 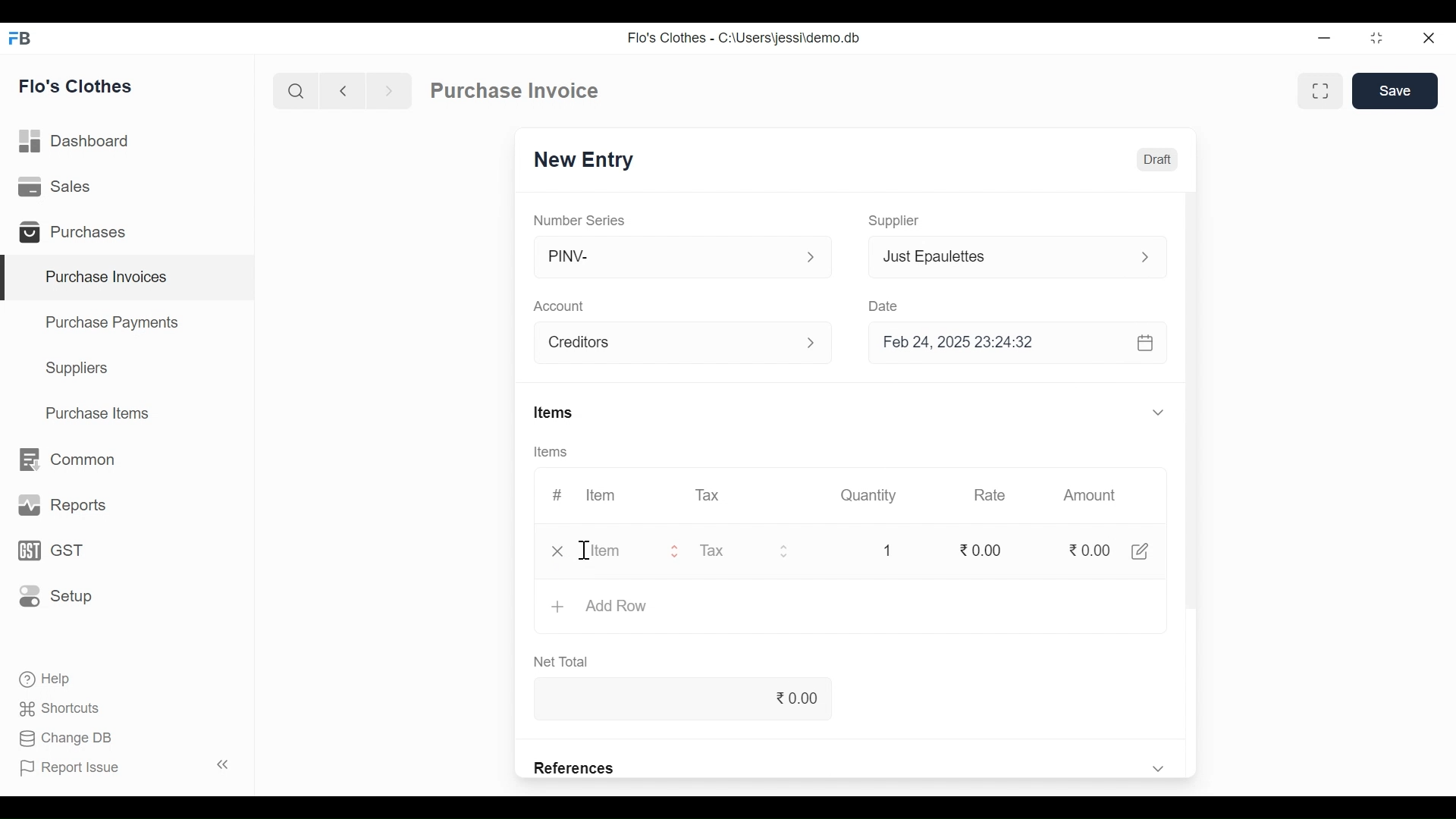 What do you see at coordinates (50, 551) in the screenshot?
I see `GST` at bounding box center [50, 551].